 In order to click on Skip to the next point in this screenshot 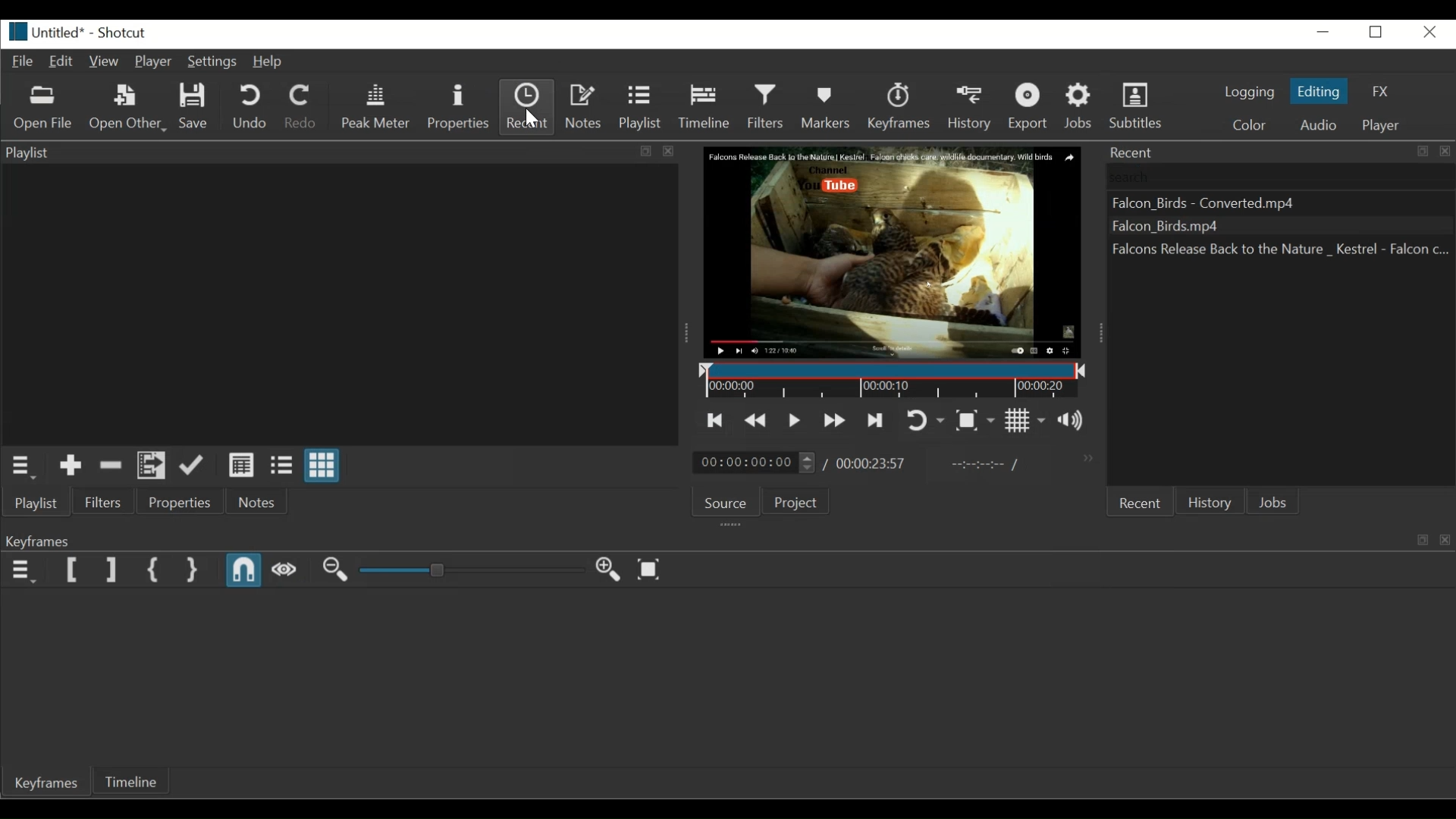, I will do `click(875, 422)`.